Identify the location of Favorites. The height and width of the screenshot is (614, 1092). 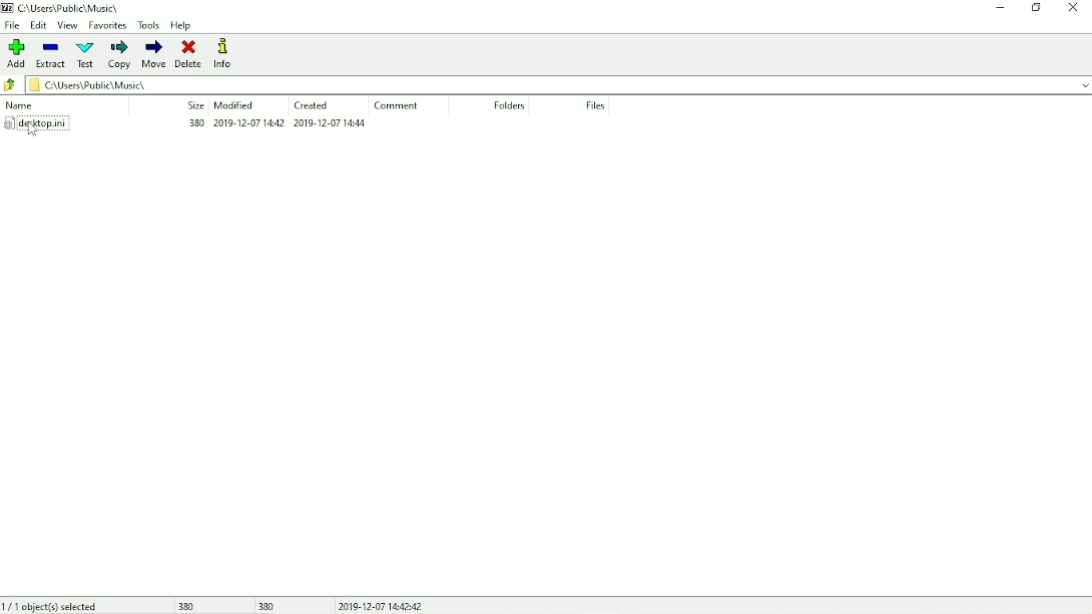
(108, 25).